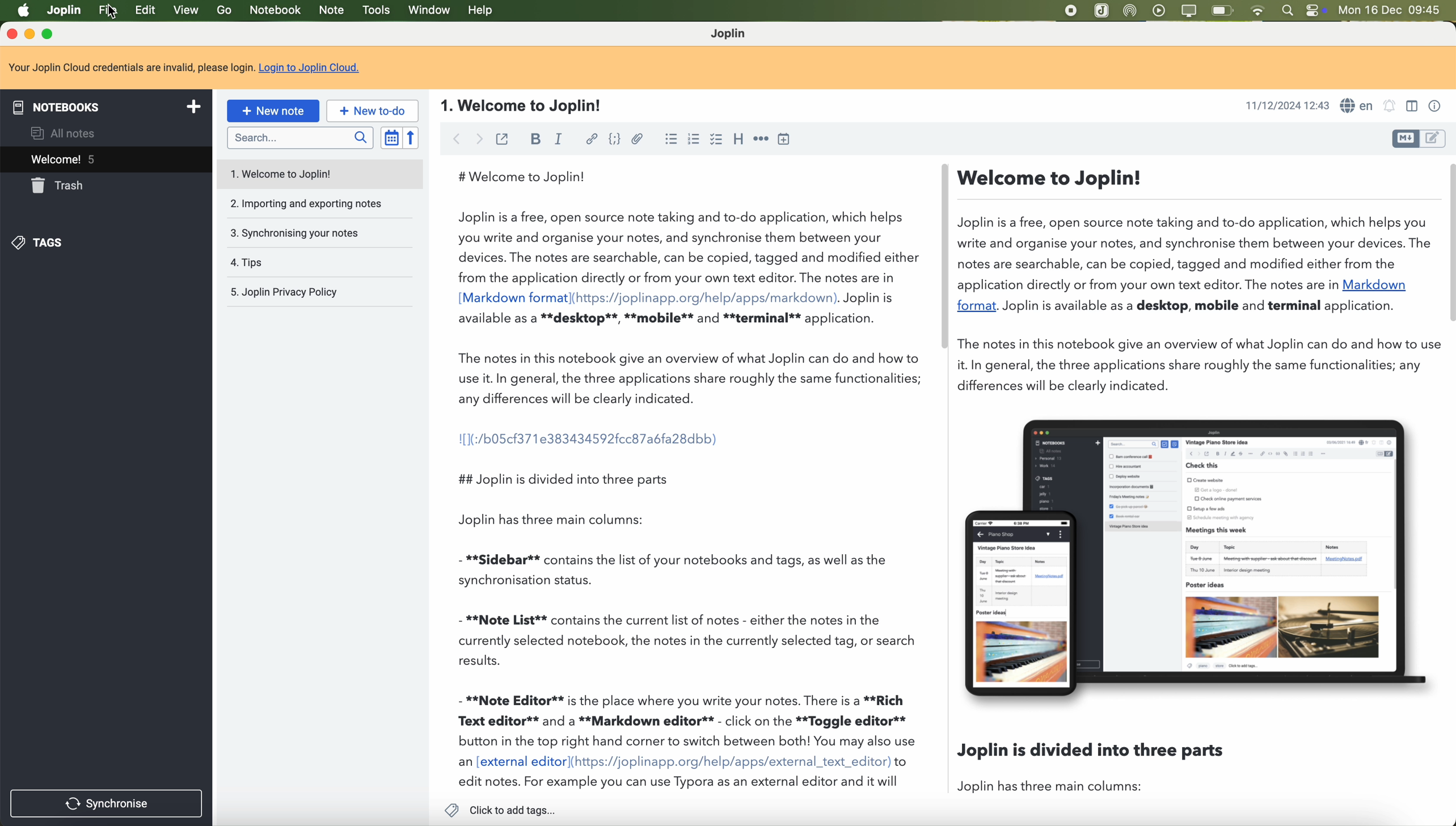 This screenshot has width=1456, height=826. Describe the element at coordinates (66, 131) in the screenshot. I see `all notes` at that location.